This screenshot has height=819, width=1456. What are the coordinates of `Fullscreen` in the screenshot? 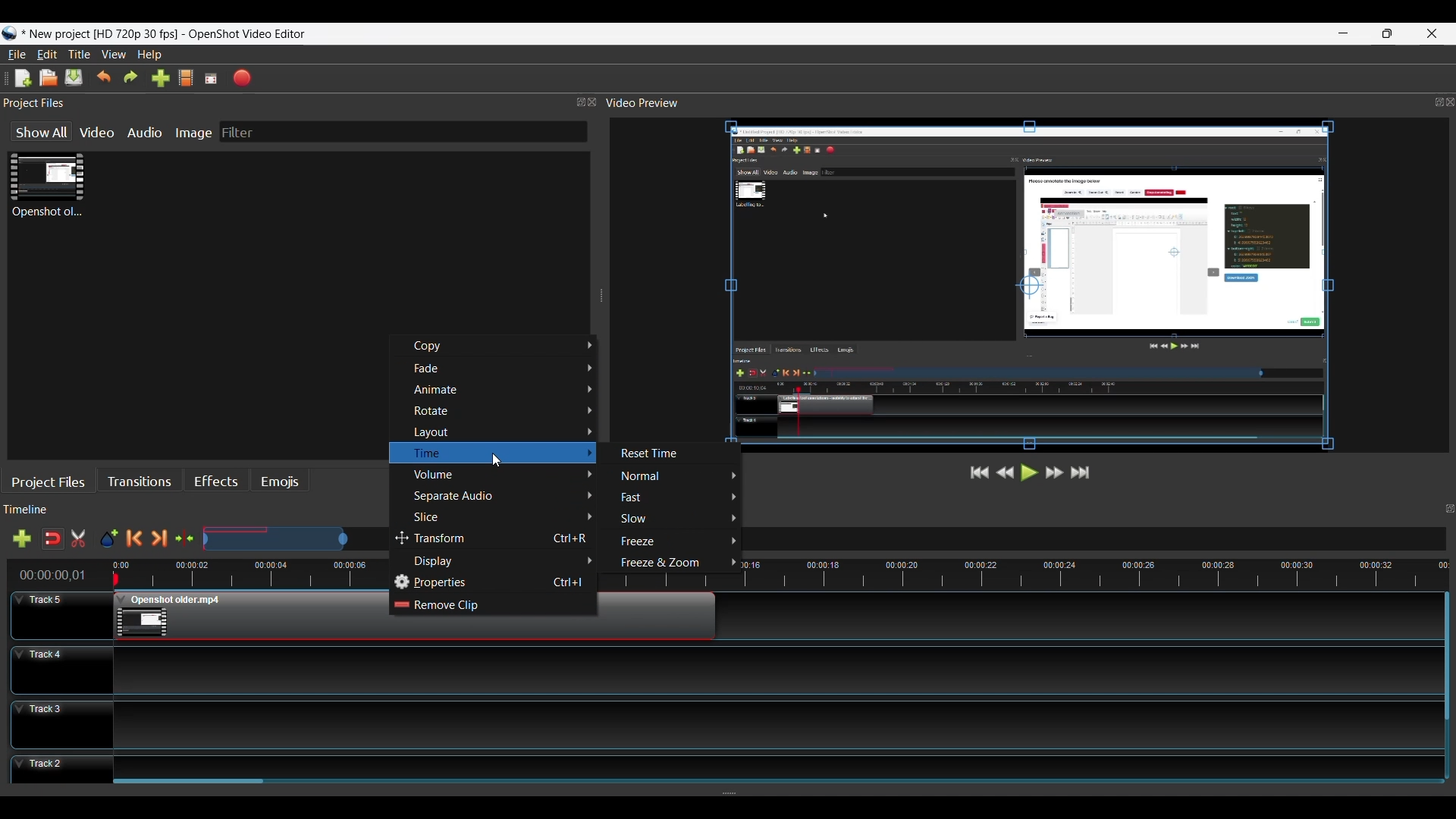 It's located at (212, 78).